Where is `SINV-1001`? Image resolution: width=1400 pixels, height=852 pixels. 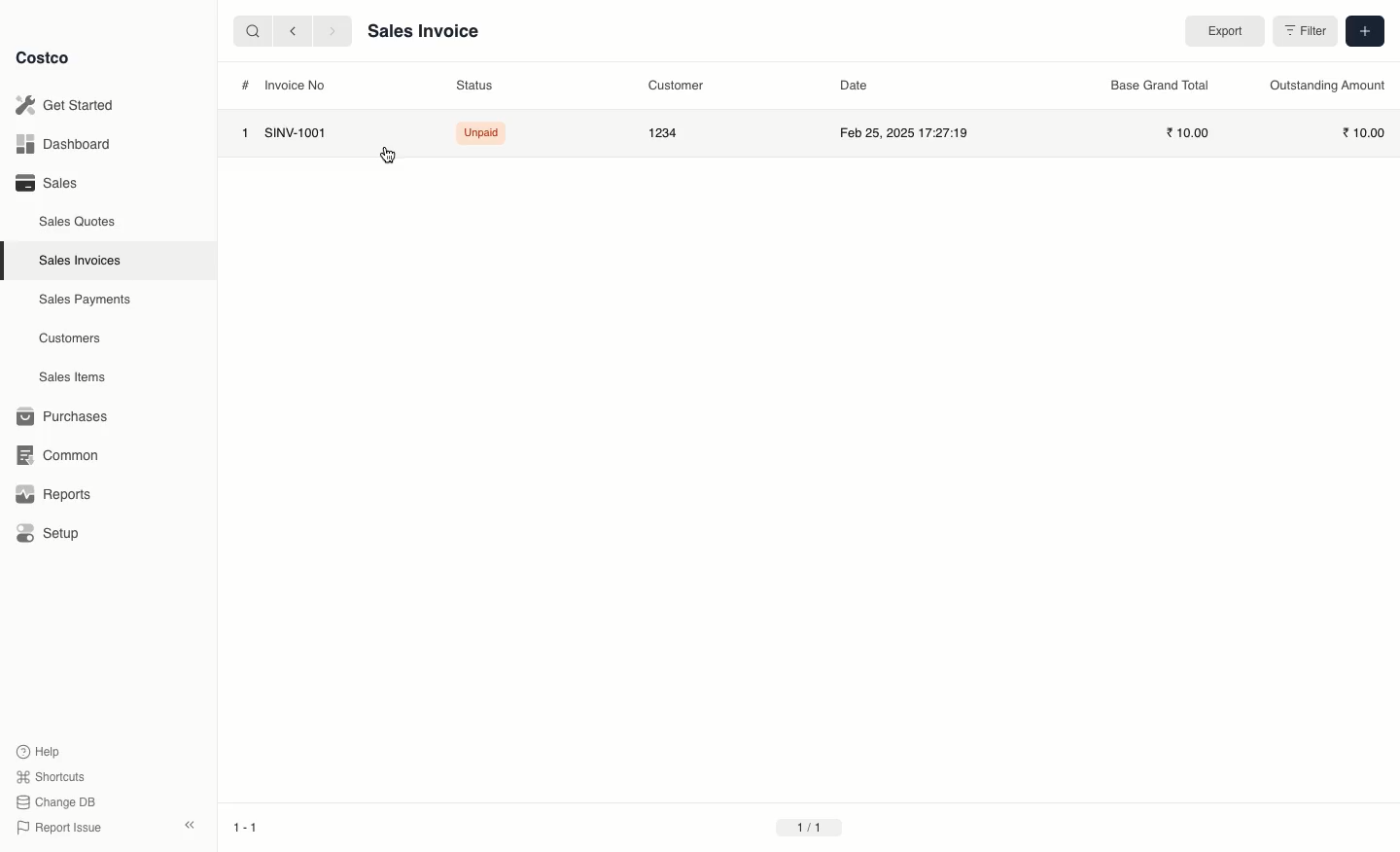
SINV-1001 is located at coordinates (299, 133).